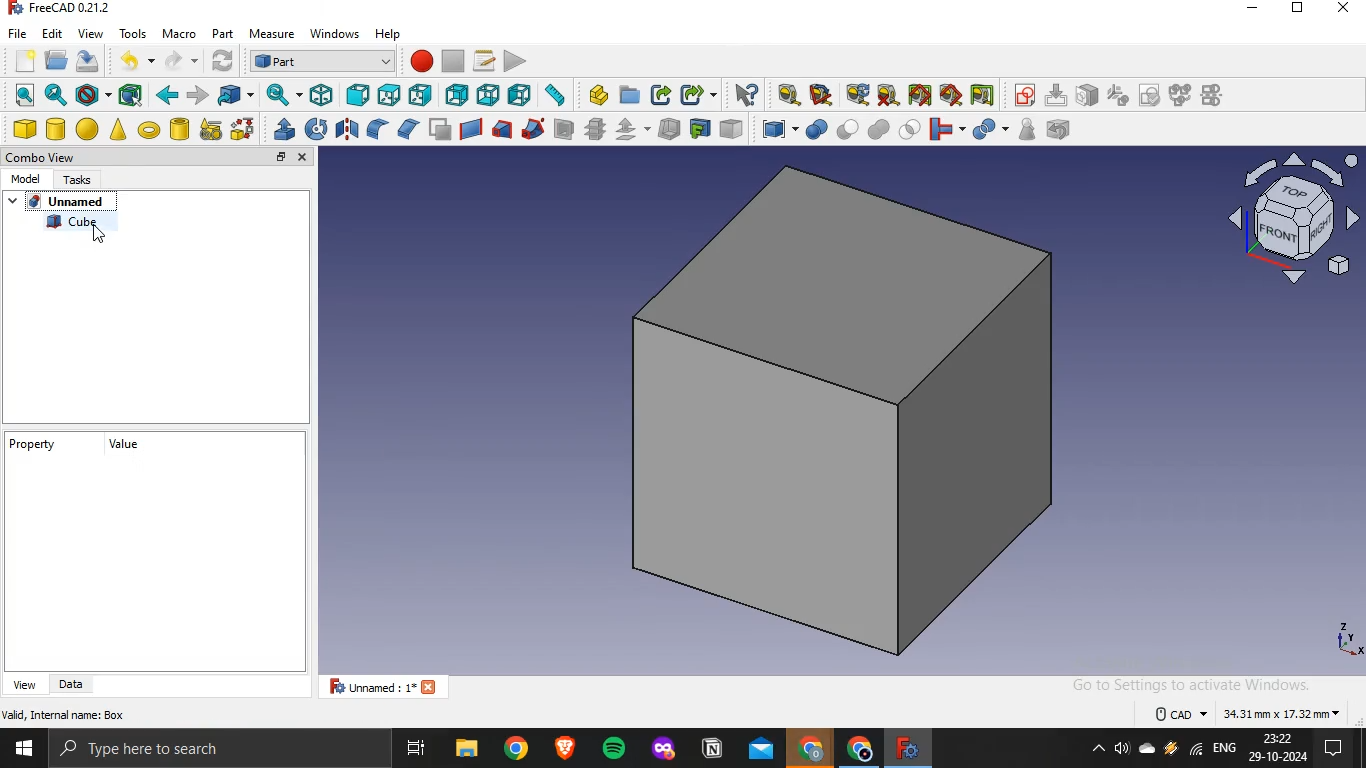  I want to click on right, so click(420, 96).